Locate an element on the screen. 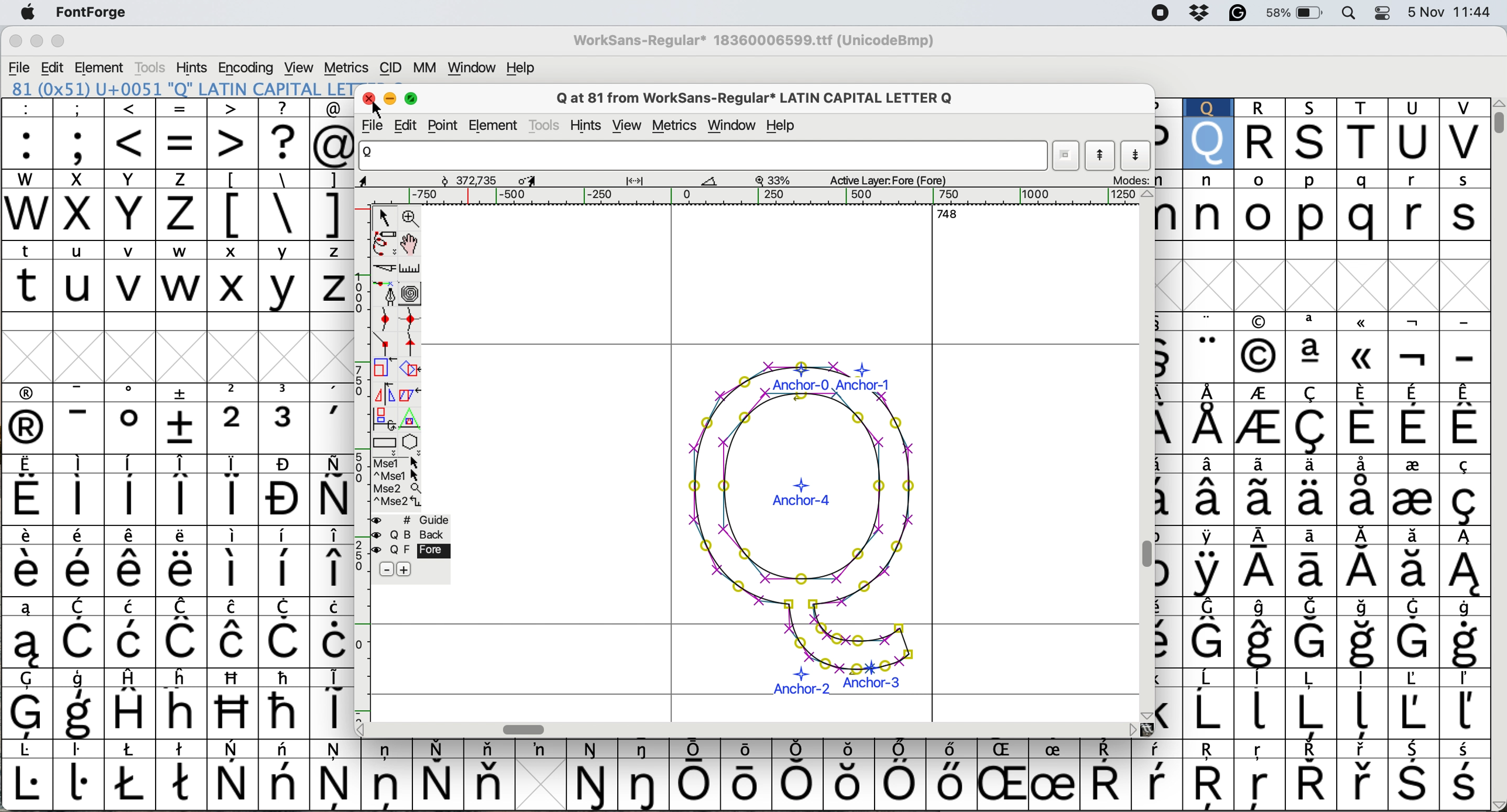  element is located at coordinates (102, 68).